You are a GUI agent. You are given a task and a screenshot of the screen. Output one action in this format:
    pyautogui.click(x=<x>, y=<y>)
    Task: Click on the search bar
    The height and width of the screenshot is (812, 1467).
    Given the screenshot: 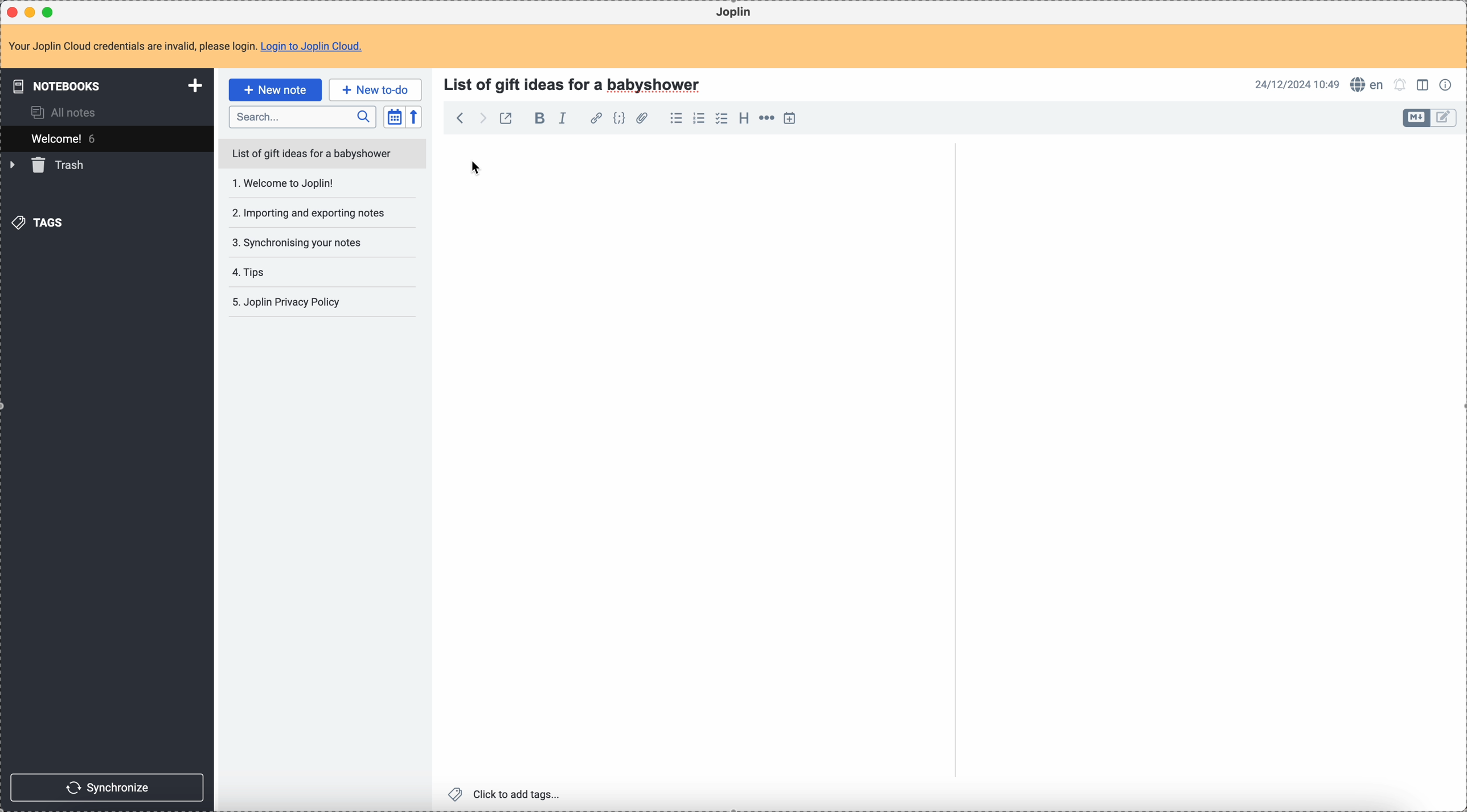 What is the action you would take?
    pyautogui.click(x=302, y=117)
    